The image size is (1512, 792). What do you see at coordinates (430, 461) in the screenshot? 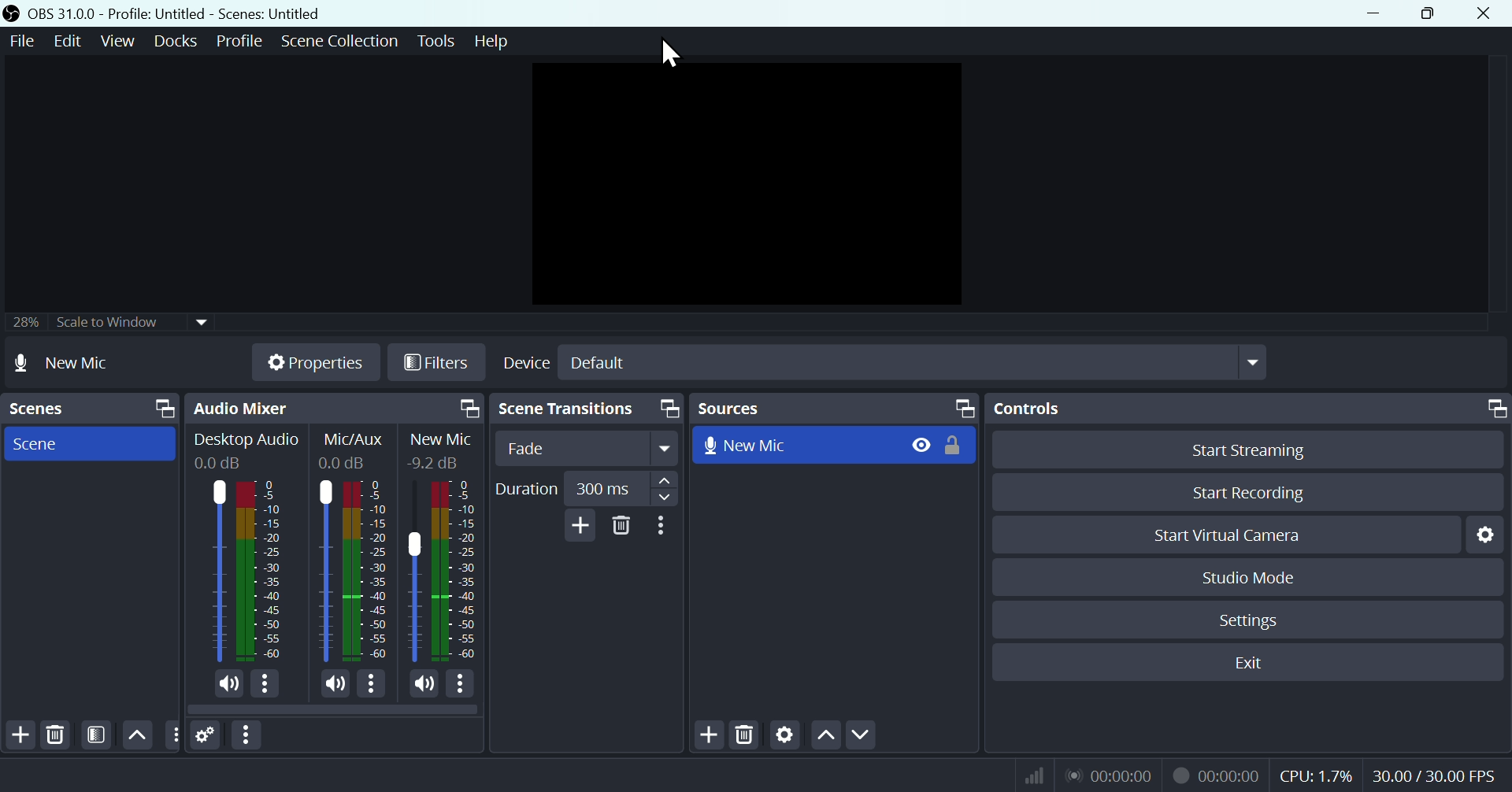
I see `0.0dB` at bounding box center [430, 461].